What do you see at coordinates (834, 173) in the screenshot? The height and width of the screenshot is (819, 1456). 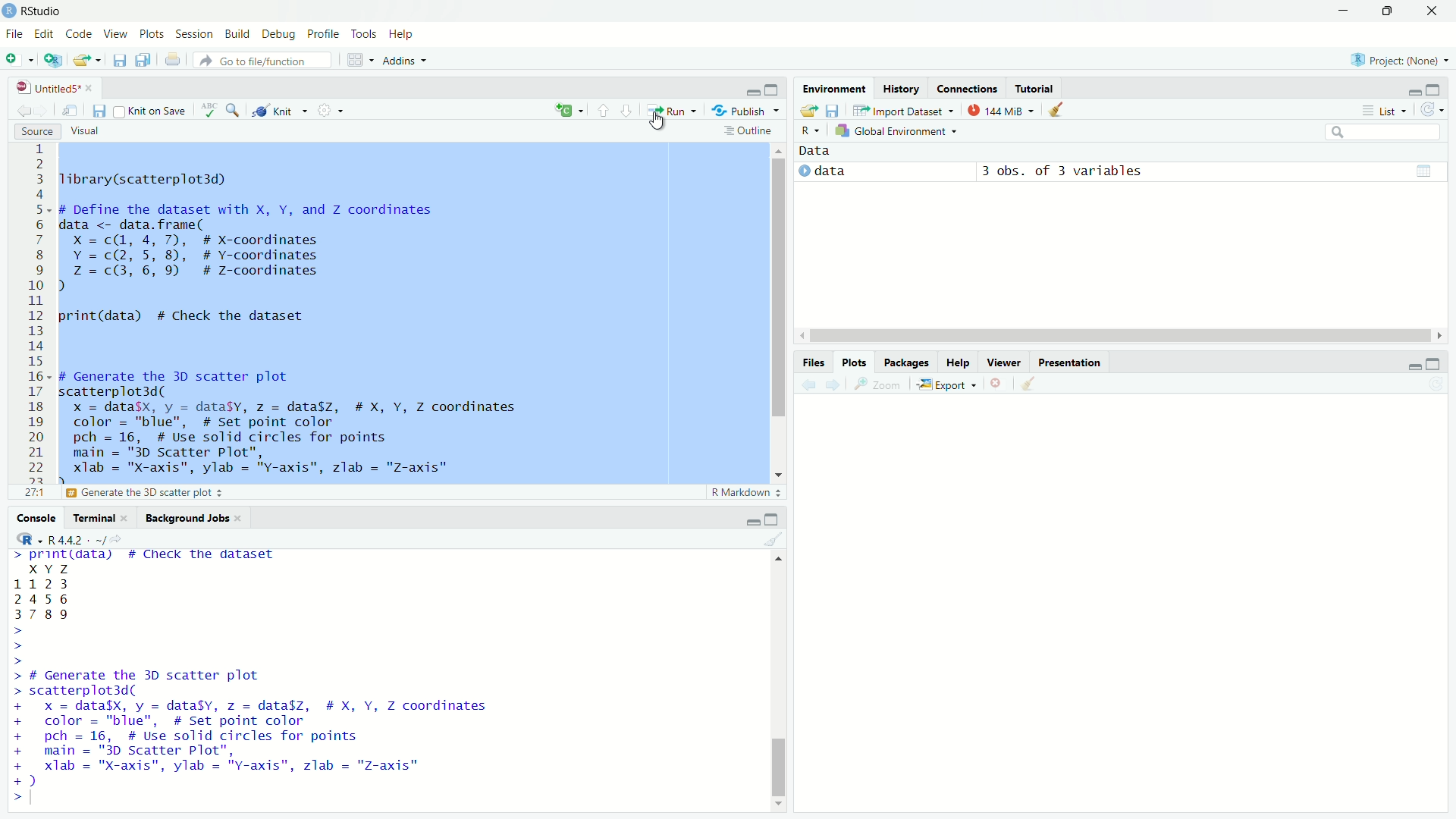 I see `data` at bounding box center [834, 173].